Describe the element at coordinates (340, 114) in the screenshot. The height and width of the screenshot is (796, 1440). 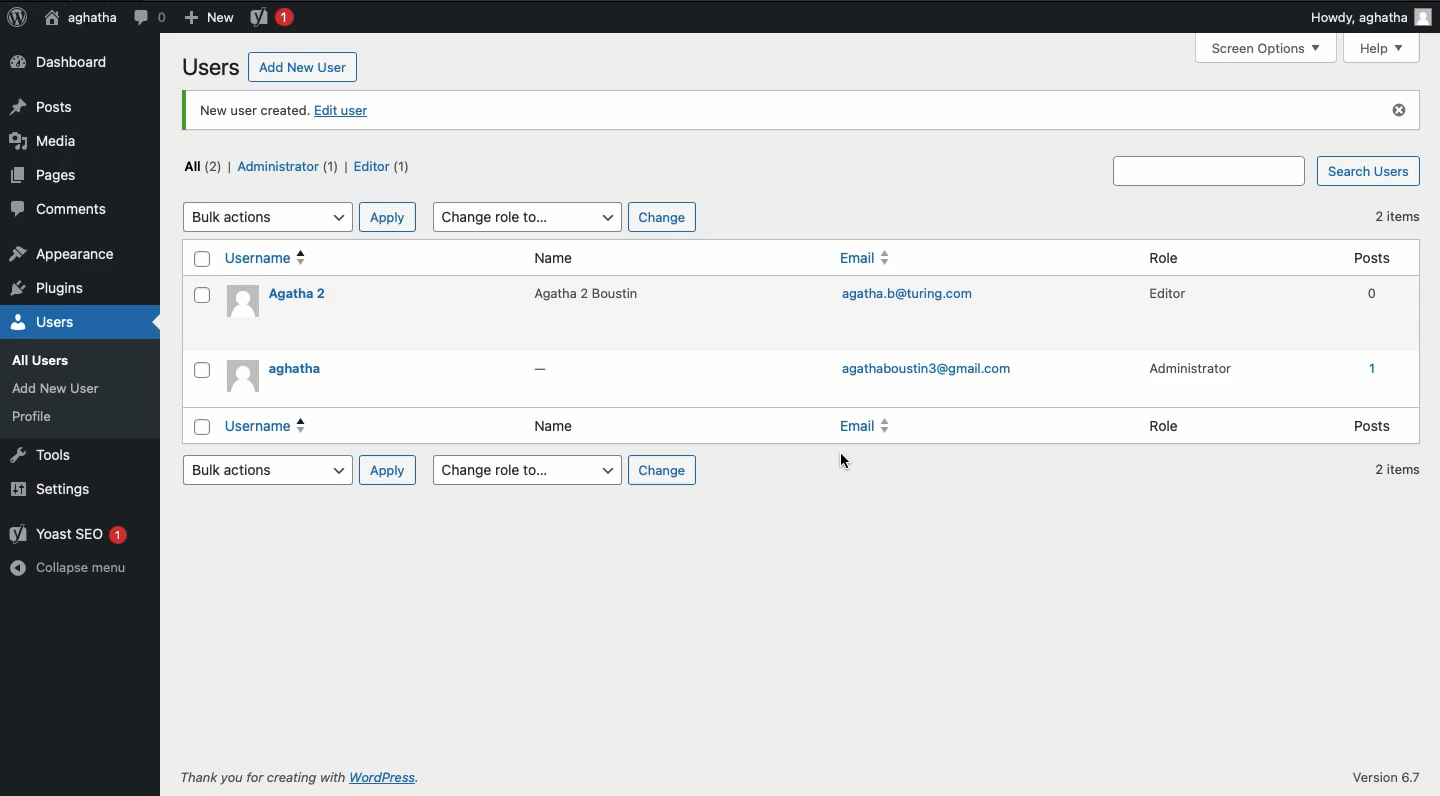
I see `Edit User ` at that location.